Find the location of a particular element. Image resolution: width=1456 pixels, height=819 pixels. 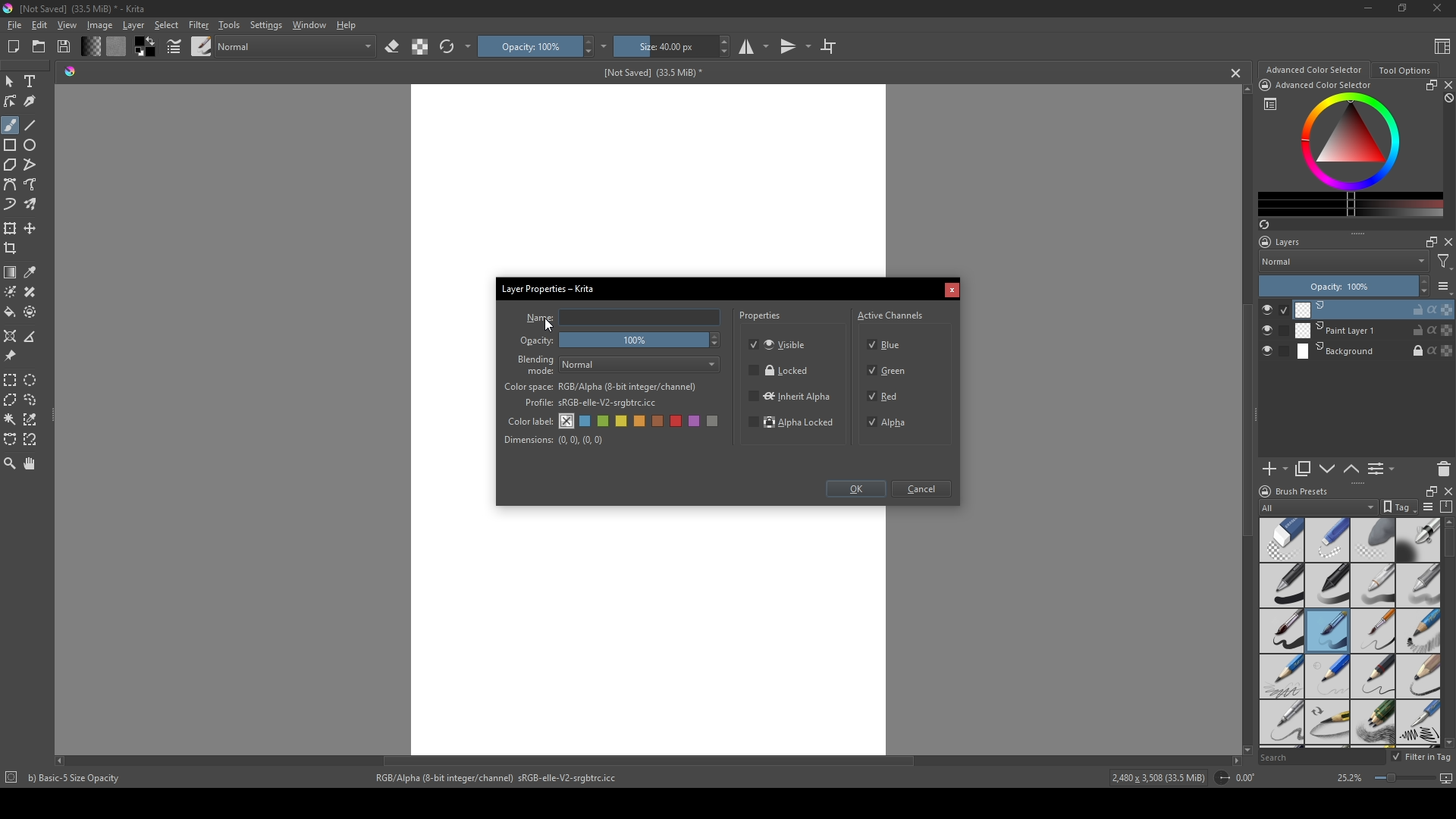

change color is located at coordinates (1351, 204).